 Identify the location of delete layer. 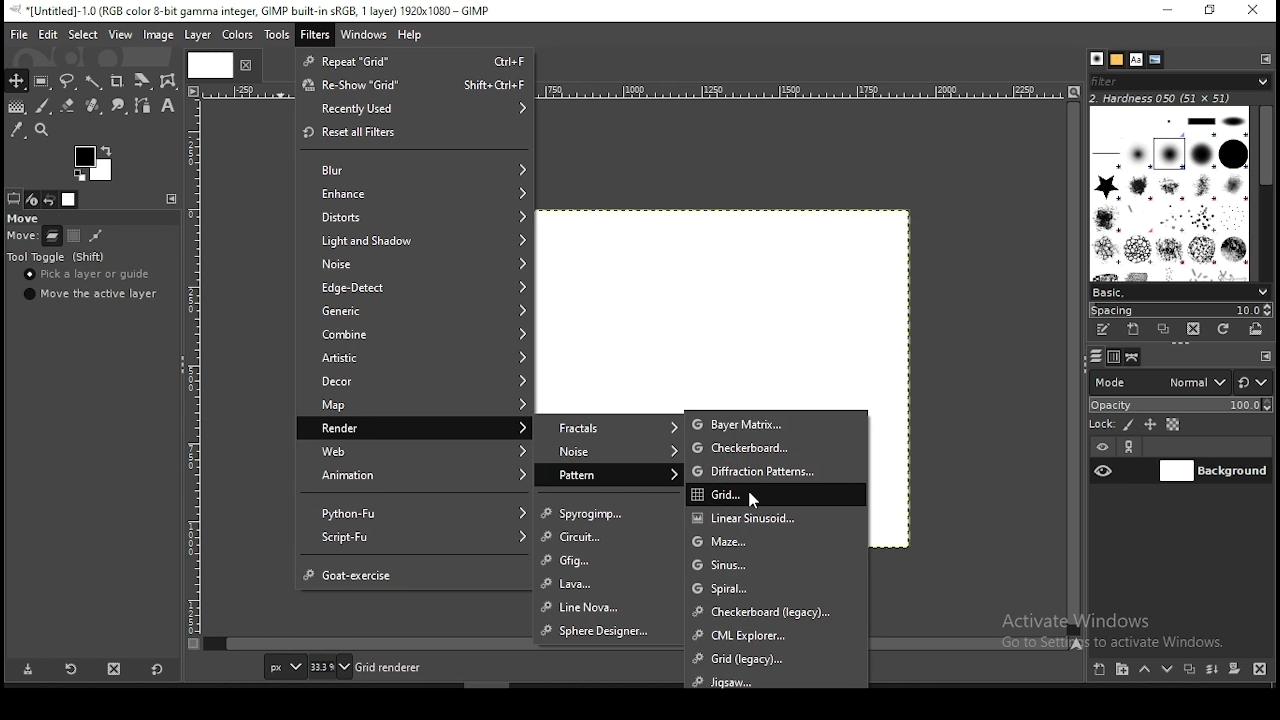
(1258, 670).